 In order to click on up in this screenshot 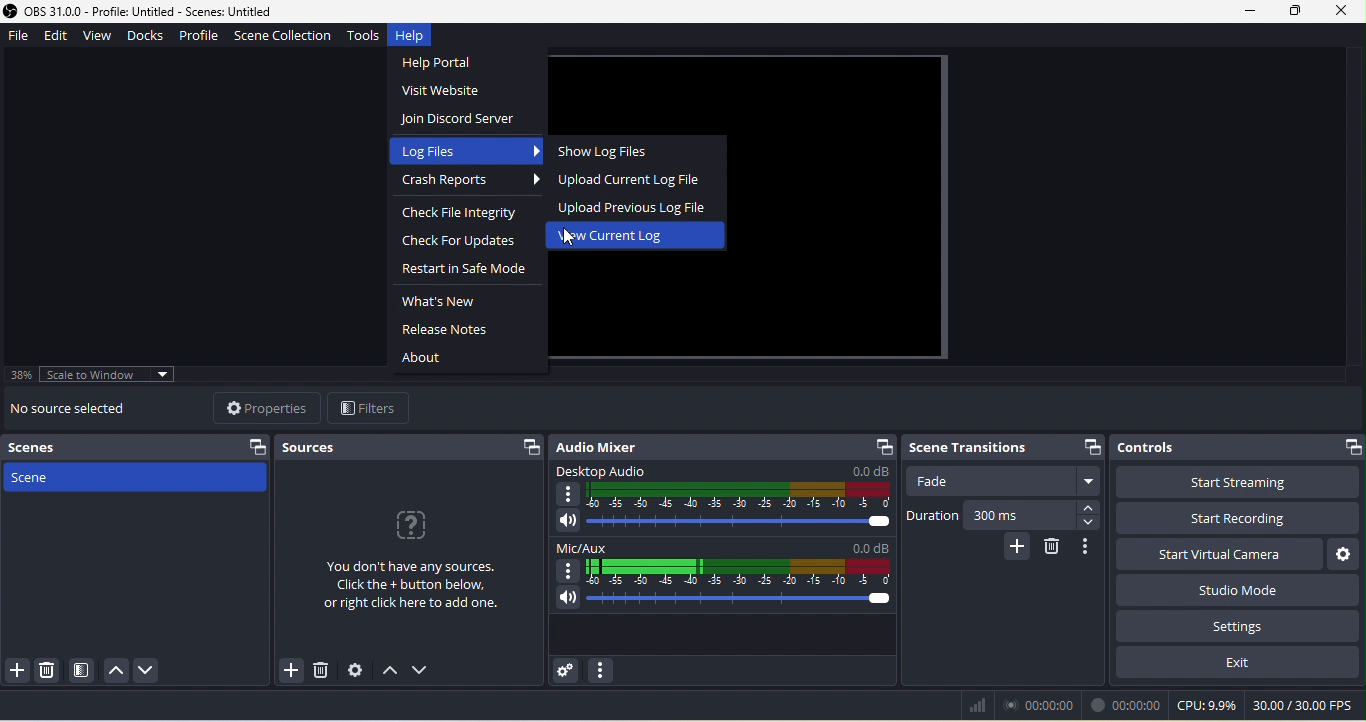, I will do `click(389, 675)`.